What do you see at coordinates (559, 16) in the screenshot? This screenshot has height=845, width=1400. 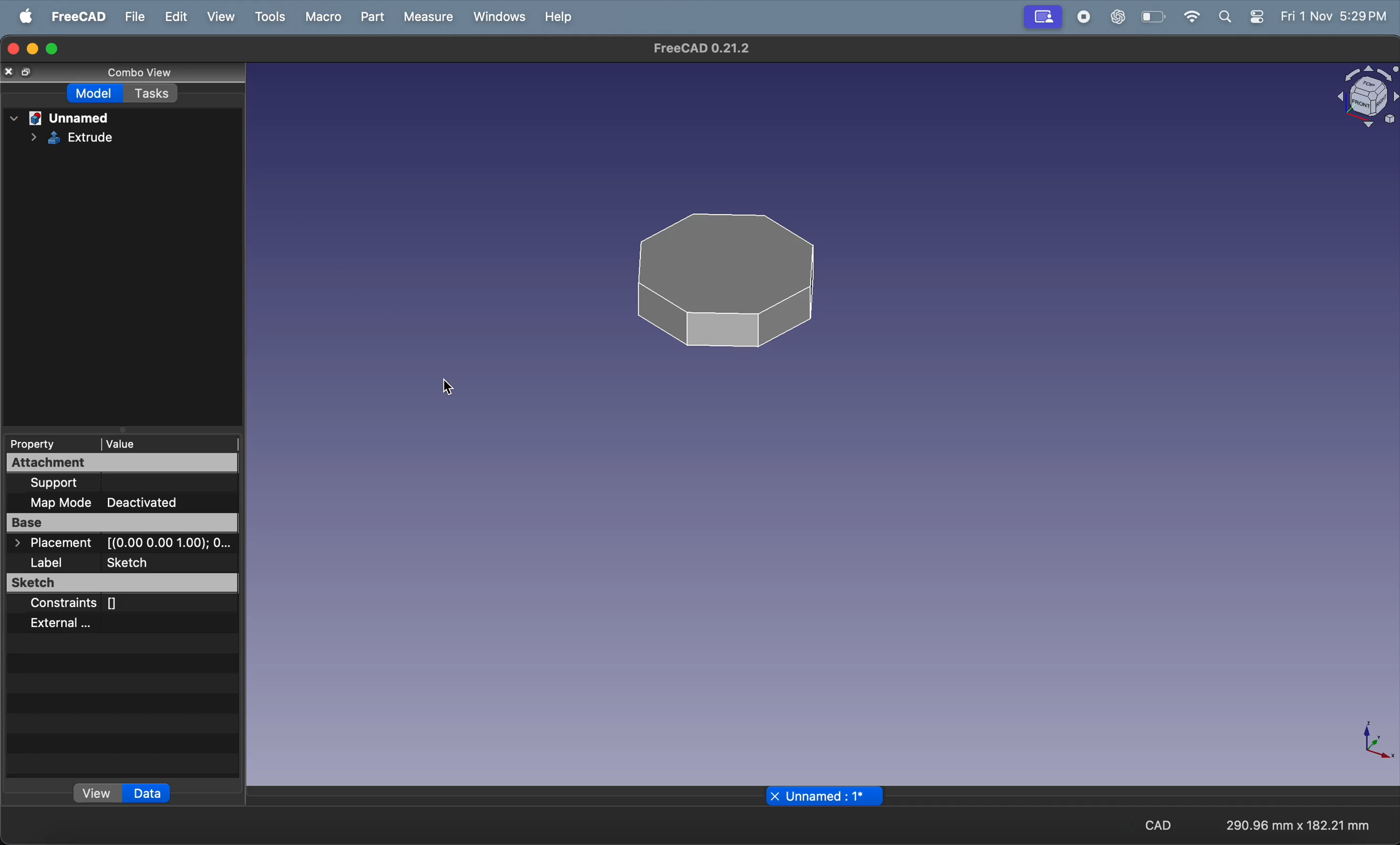 I see `help` at bounding box center [559, 16].